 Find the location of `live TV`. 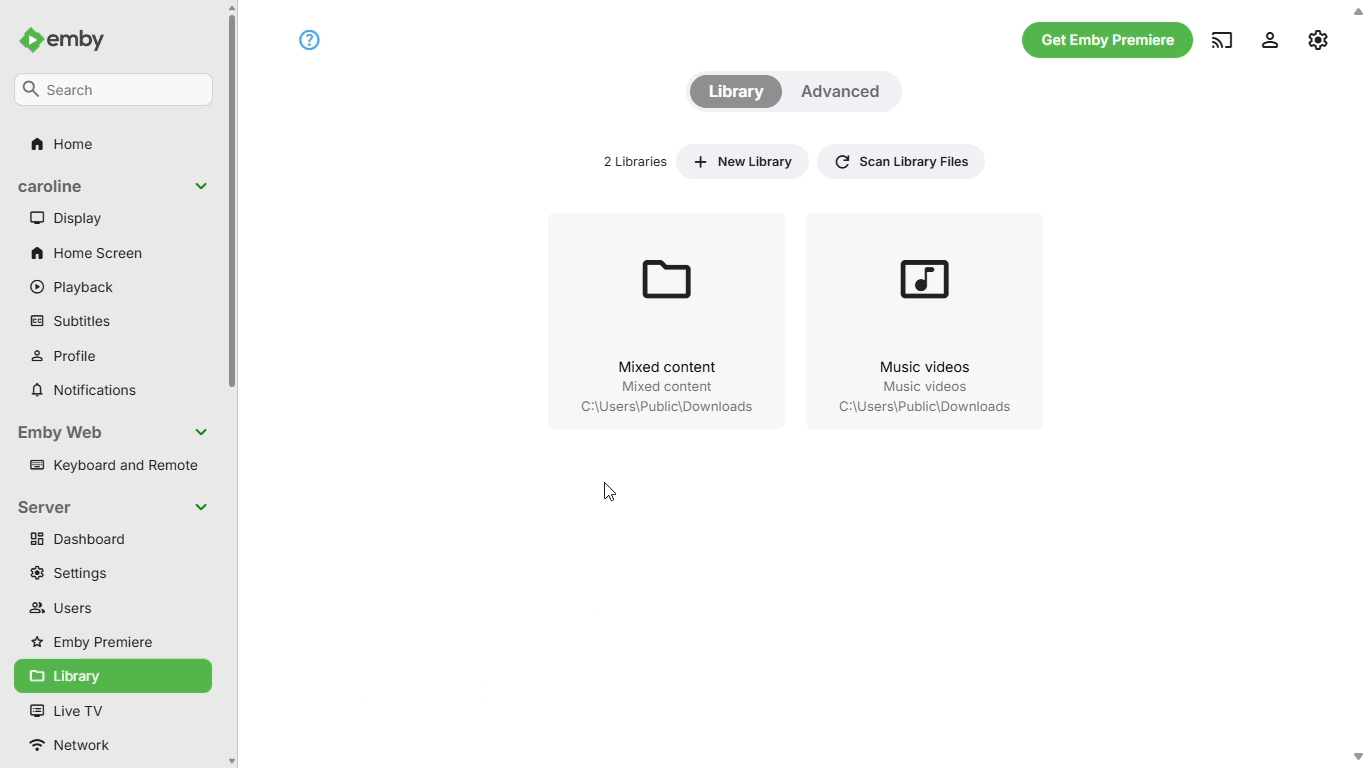

live TV is located at coordinates (64, 710).